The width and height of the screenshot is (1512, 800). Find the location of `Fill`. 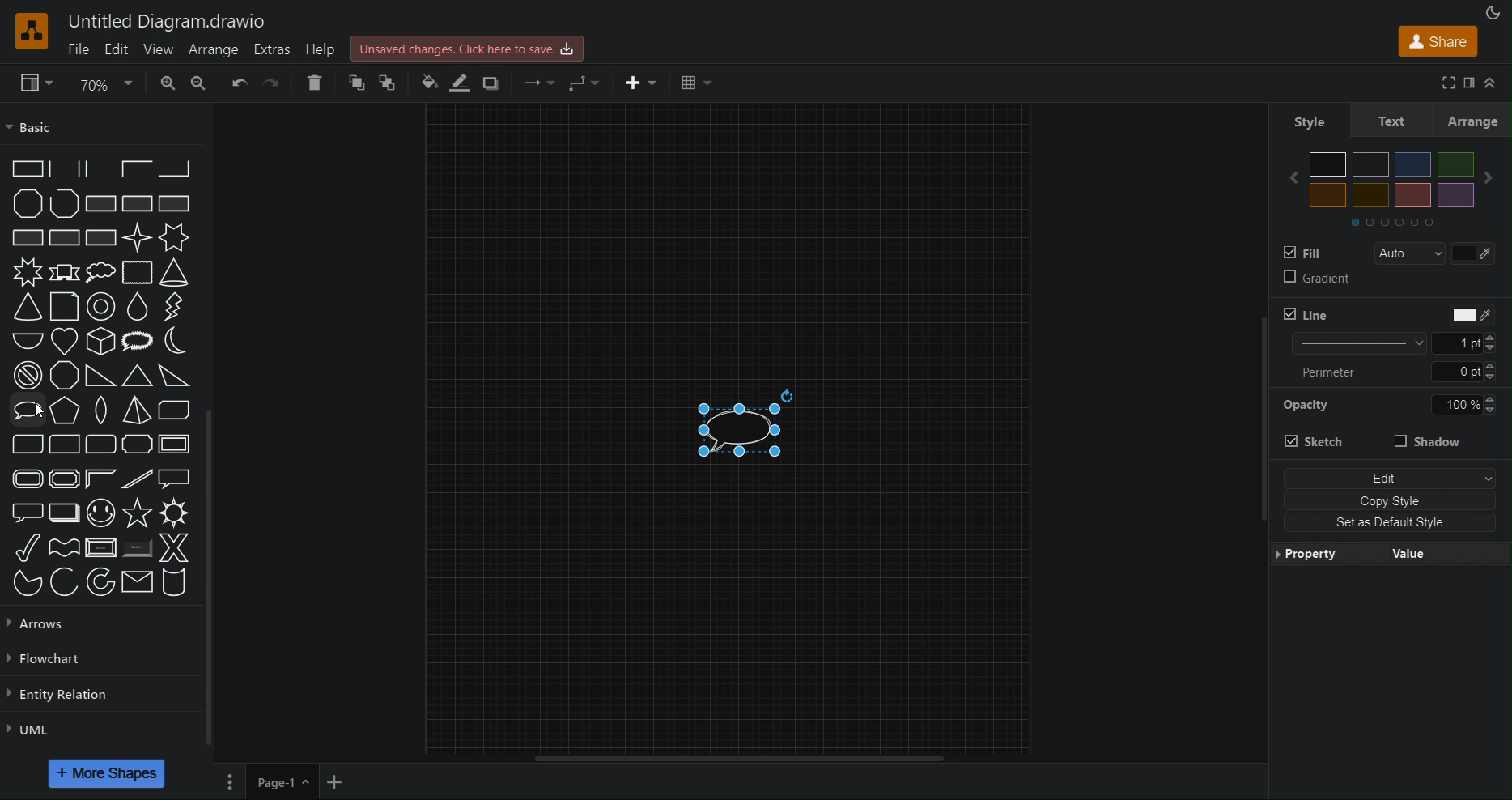

Fill is located at coordinates (1310, 253).